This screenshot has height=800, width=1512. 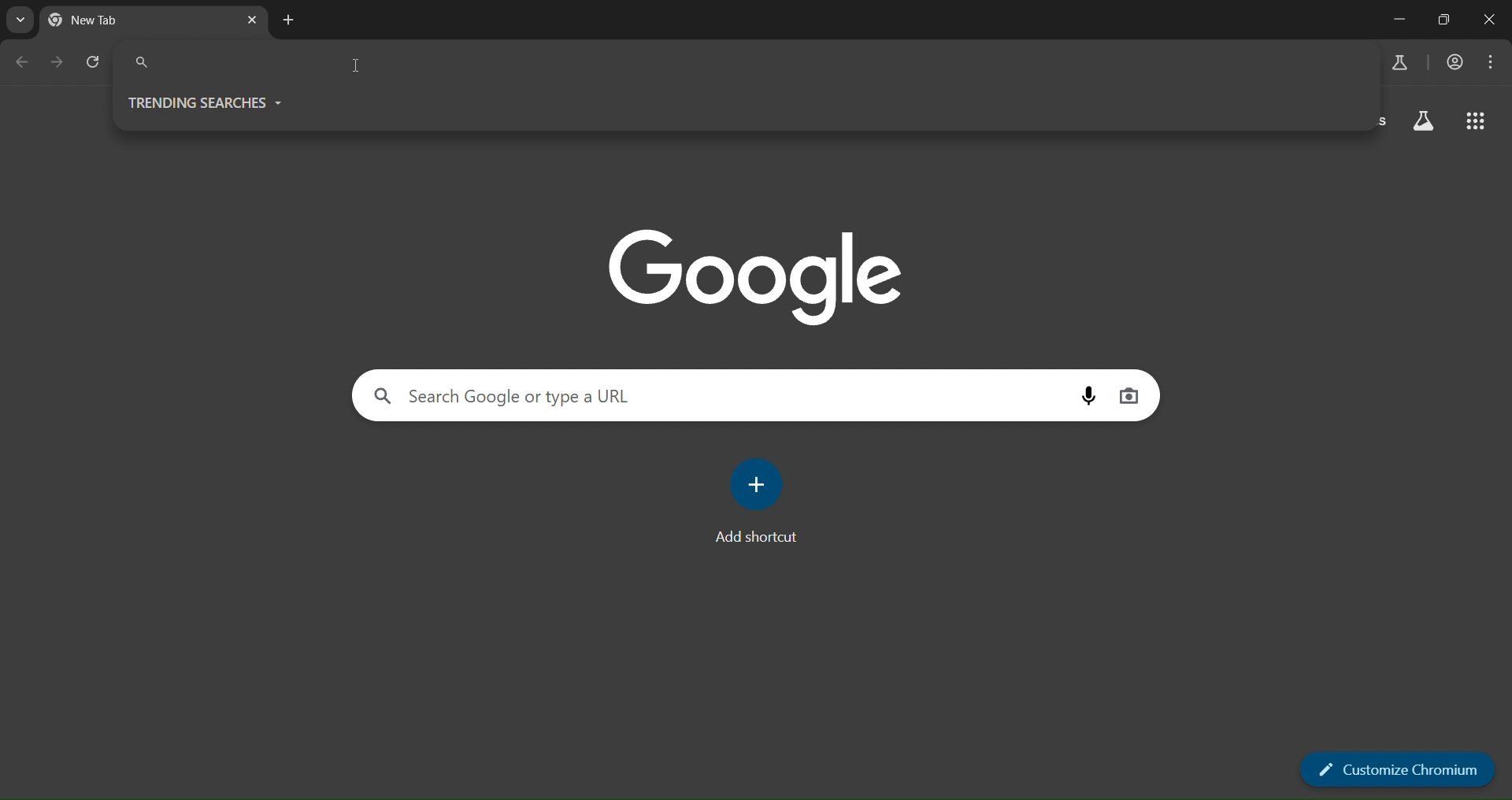 What do you see at coordinates (1455, 61) in the screenshot?
I see `accounts` at bounding box center [1455, 61].